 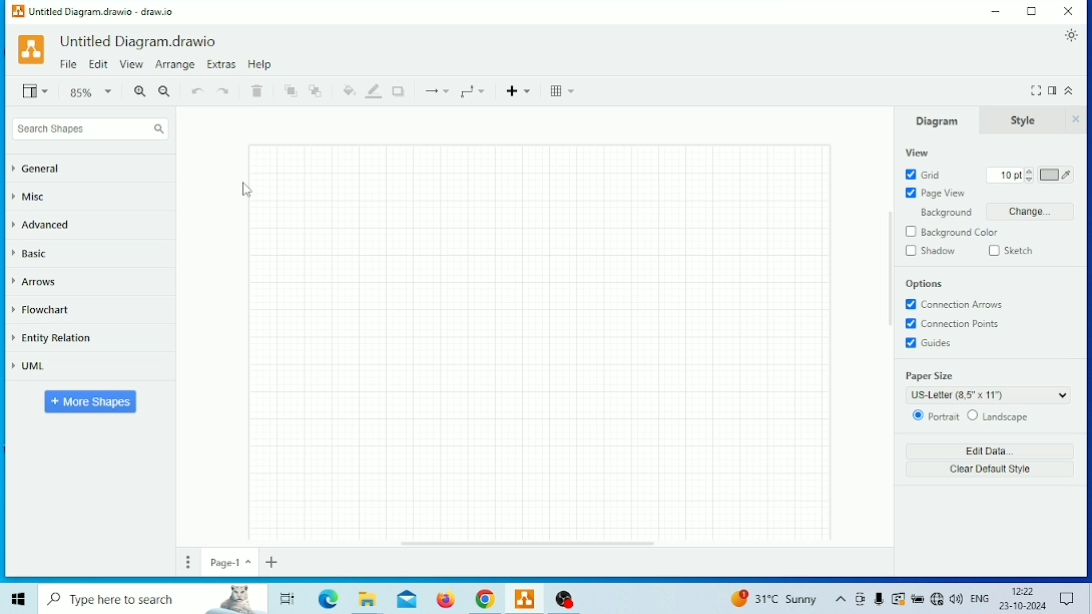 What do you see at coordinates (1033, 11) in the screenshot?
I see `Restore Down` at bounding box center [1033, 11].